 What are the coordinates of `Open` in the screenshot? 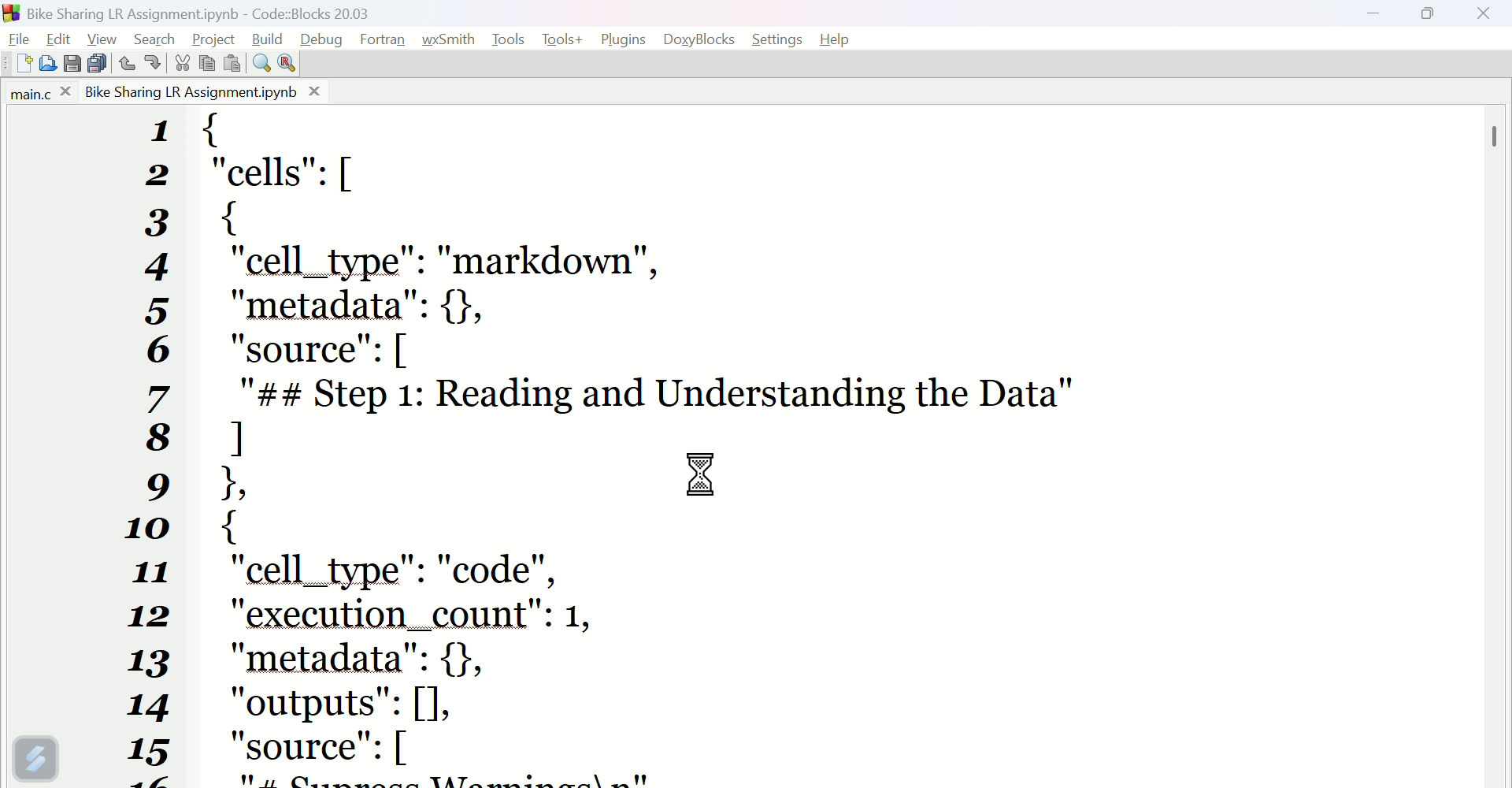 It's located at (51, 64).